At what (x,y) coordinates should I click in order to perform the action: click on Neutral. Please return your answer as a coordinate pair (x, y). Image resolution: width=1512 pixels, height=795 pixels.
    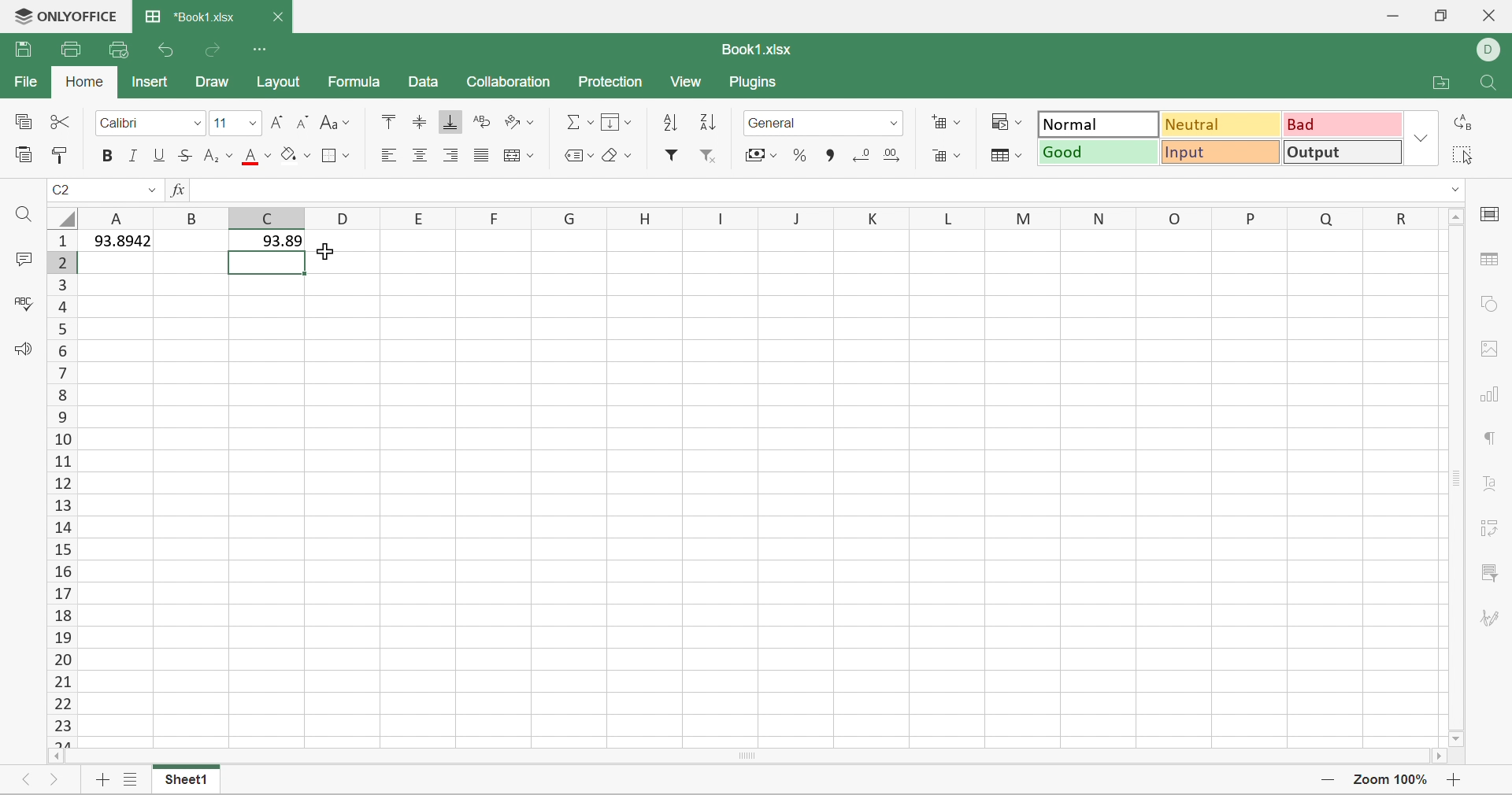
    Looking at the image, I should click on (1224, 124).